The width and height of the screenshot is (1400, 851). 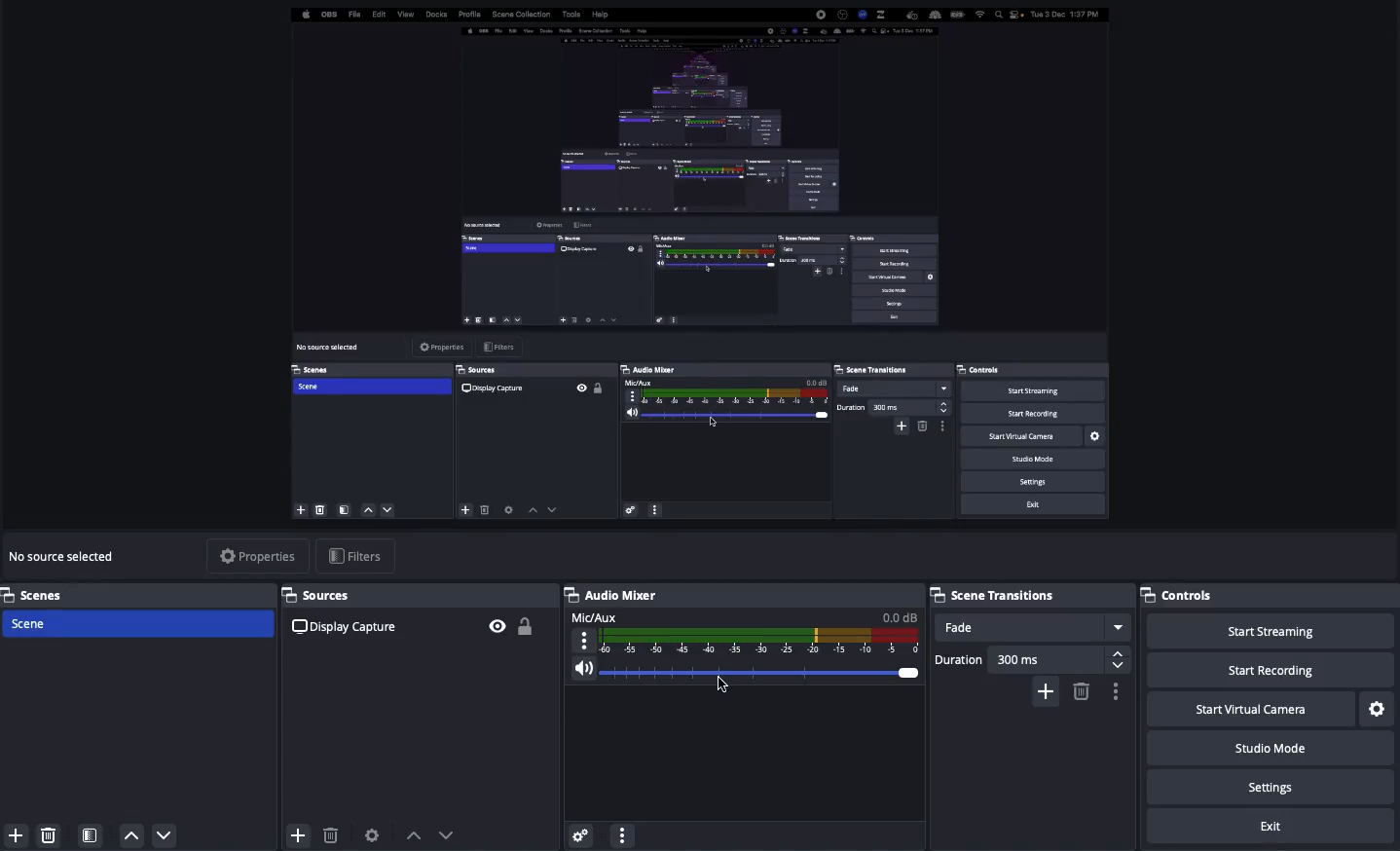 What do you see at coordinates (374, 833) in the screenshot?
I see `Source preferences ` at bounding box center [374, 833].